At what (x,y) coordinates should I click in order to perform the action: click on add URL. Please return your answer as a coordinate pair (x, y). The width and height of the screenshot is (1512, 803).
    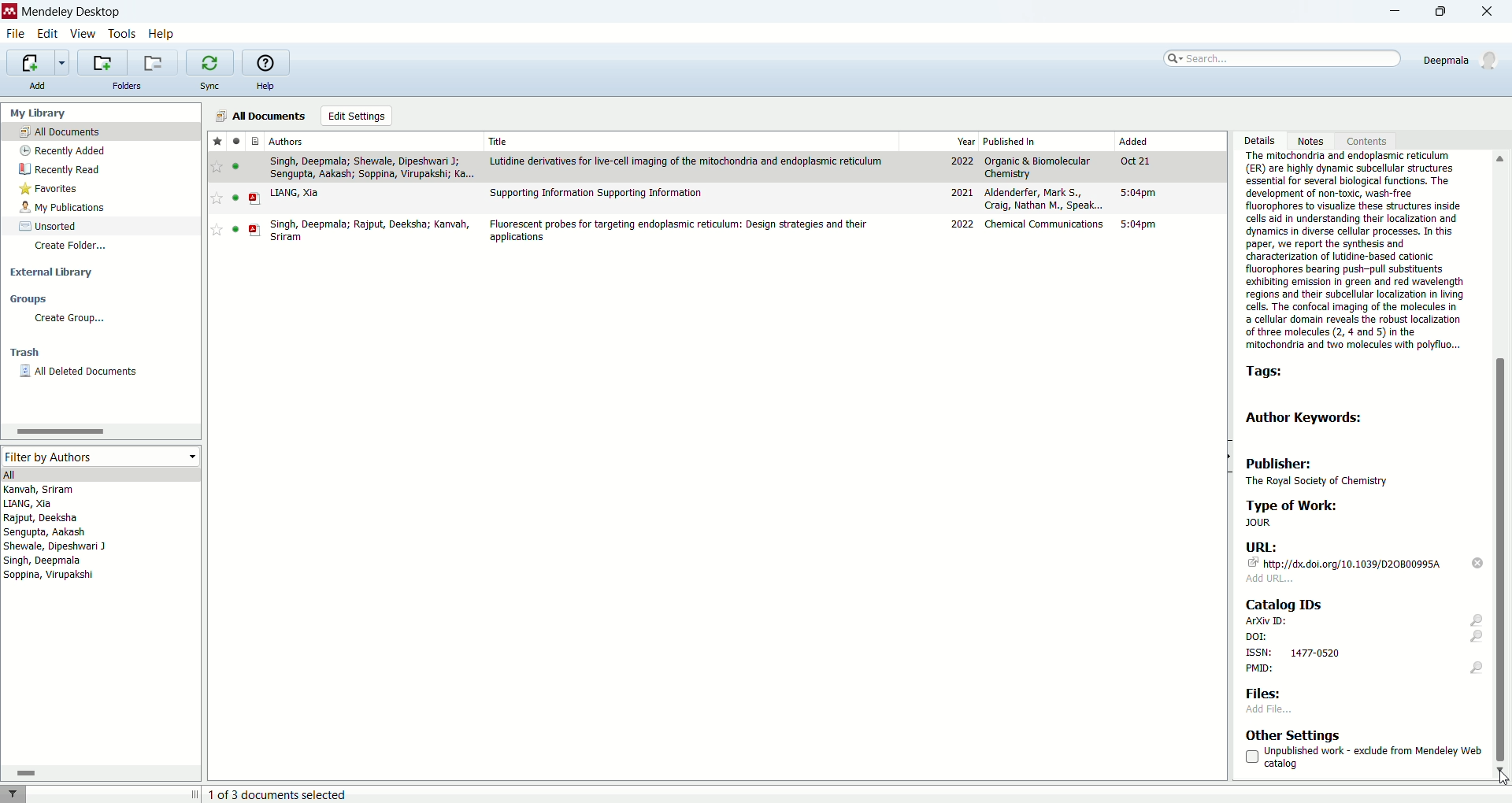
    Looking at the image, I should click on (1270, 579).